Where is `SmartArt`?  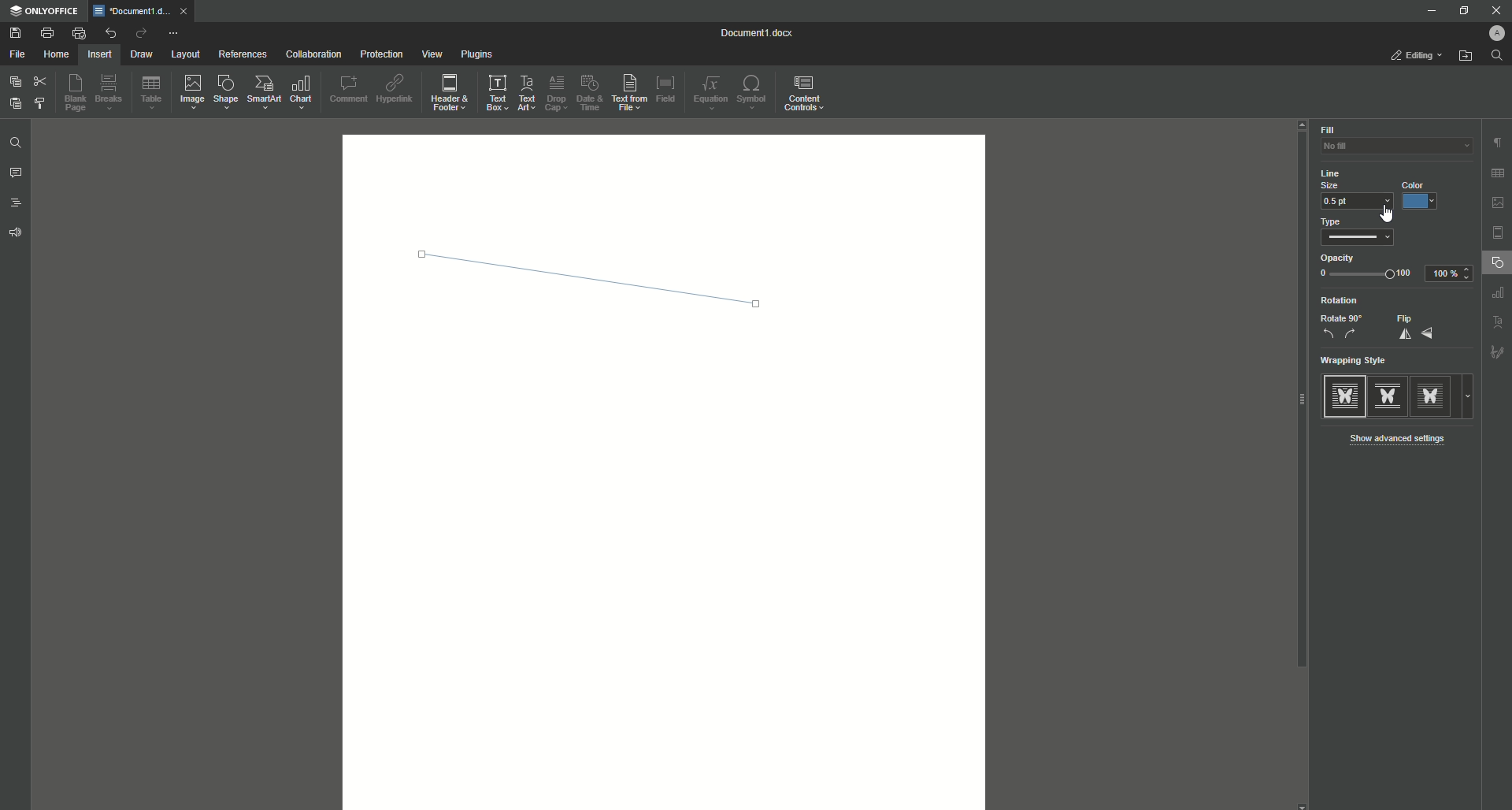
SmartArt is located at coordinates (265, 93).